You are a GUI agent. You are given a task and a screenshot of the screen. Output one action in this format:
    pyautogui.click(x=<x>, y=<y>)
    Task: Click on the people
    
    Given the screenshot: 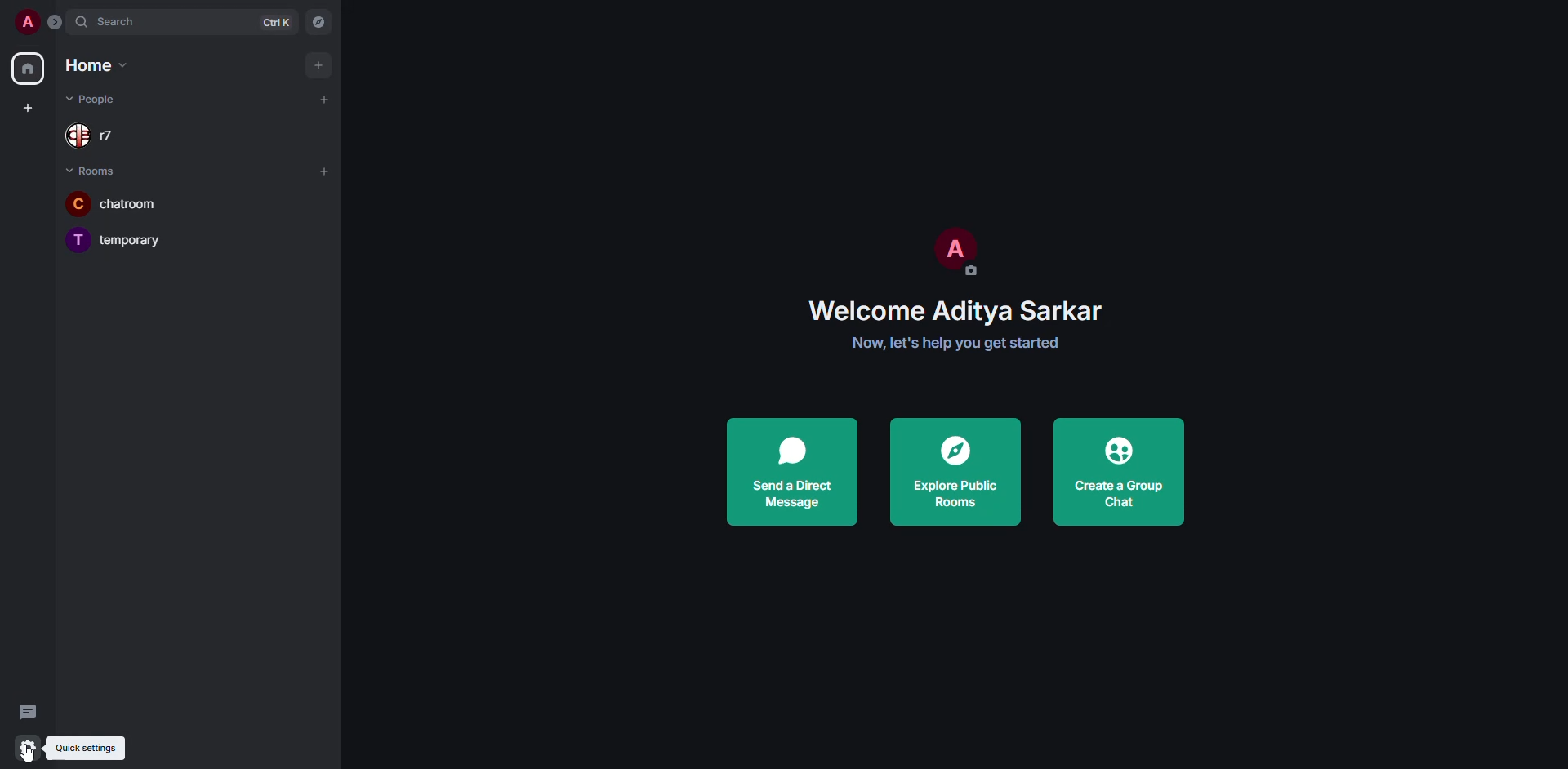 What is the action you would take?
    pyautogui.click(x=96, y=137)
    